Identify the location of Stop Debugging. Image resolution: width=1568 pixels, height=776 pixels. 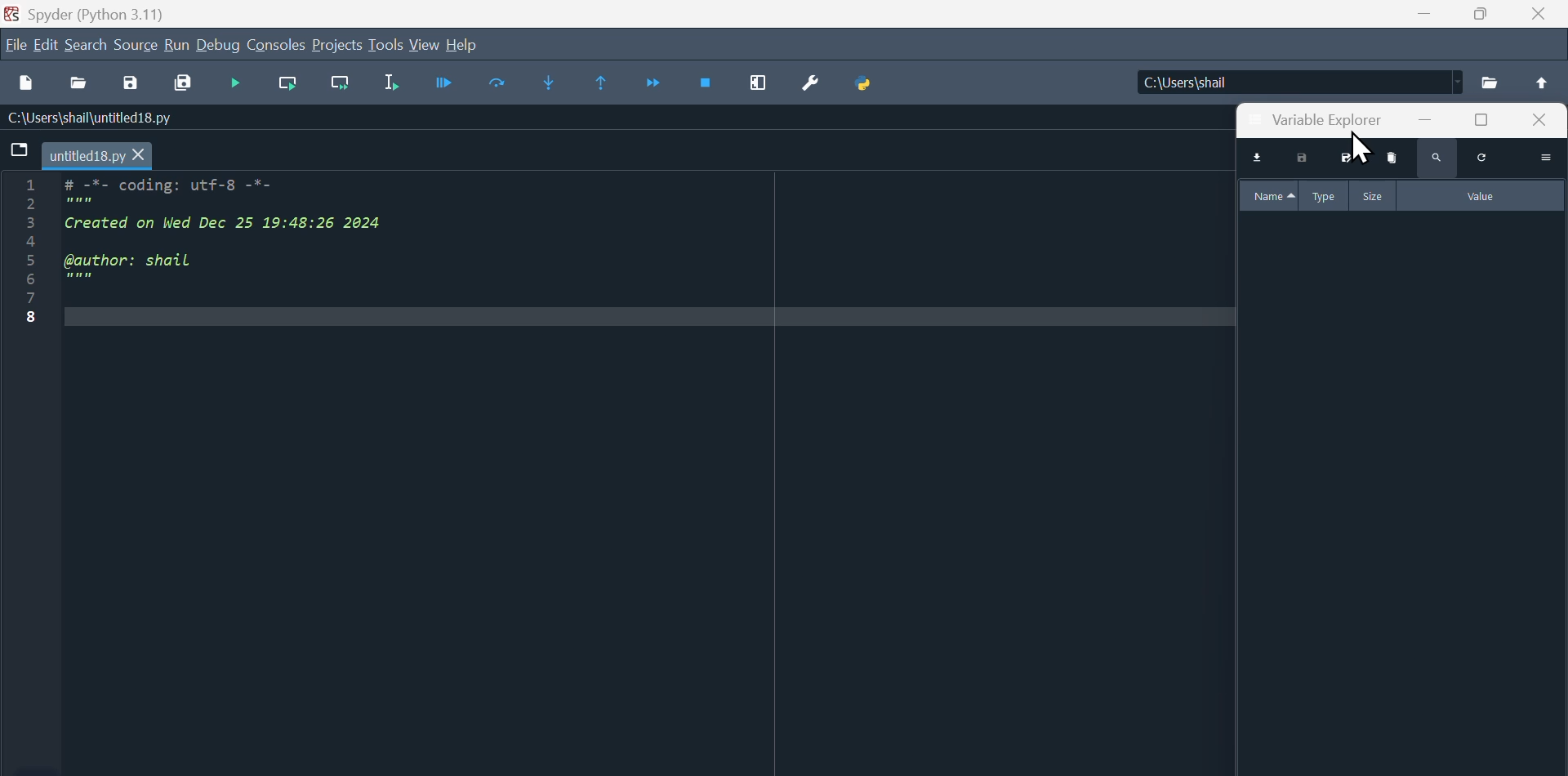
(708, 88).